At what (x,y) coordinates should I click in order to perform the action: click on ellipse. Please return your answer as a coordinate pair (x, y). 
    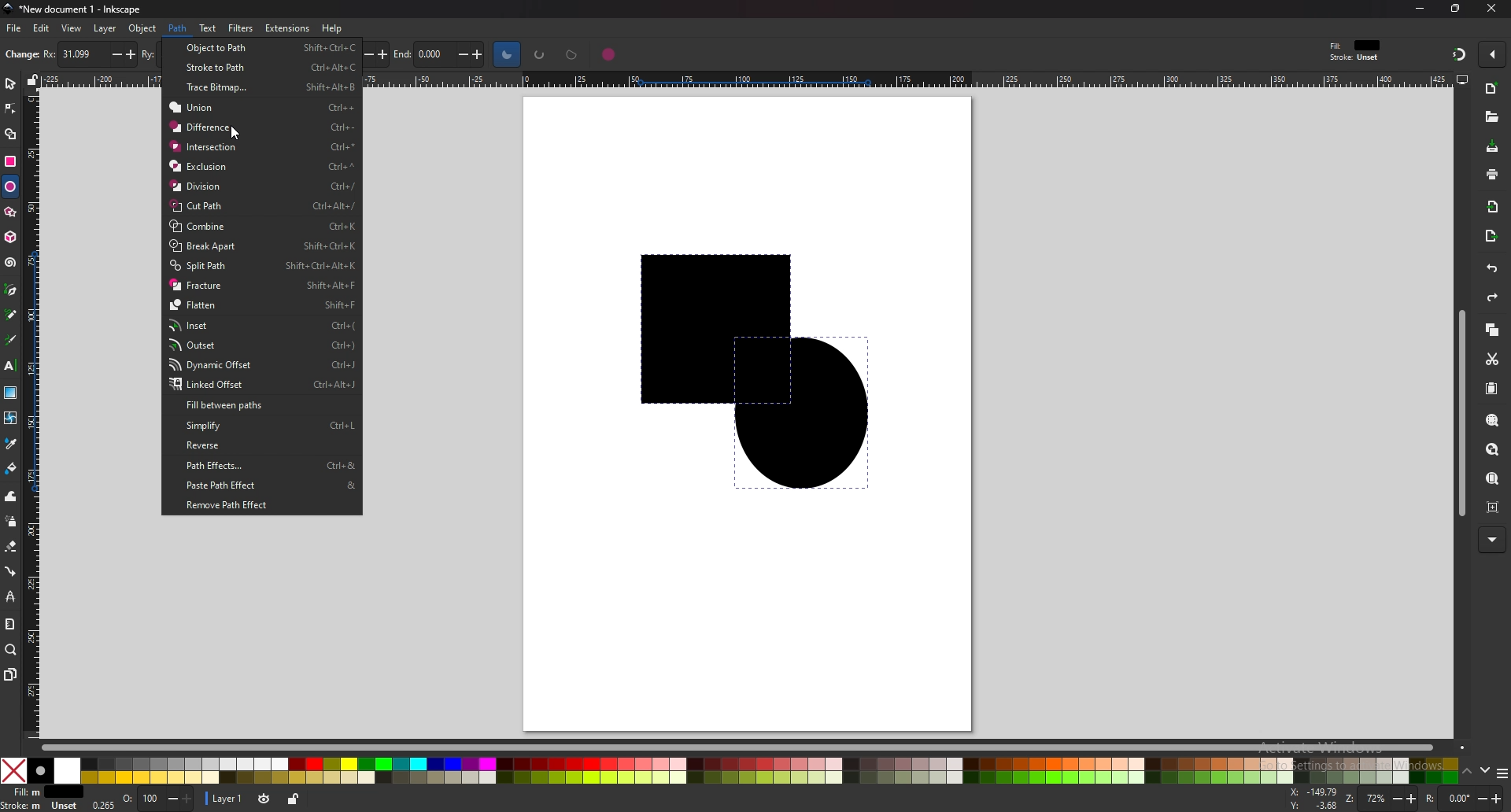
    Looking at the image, I should click on (10, 186).